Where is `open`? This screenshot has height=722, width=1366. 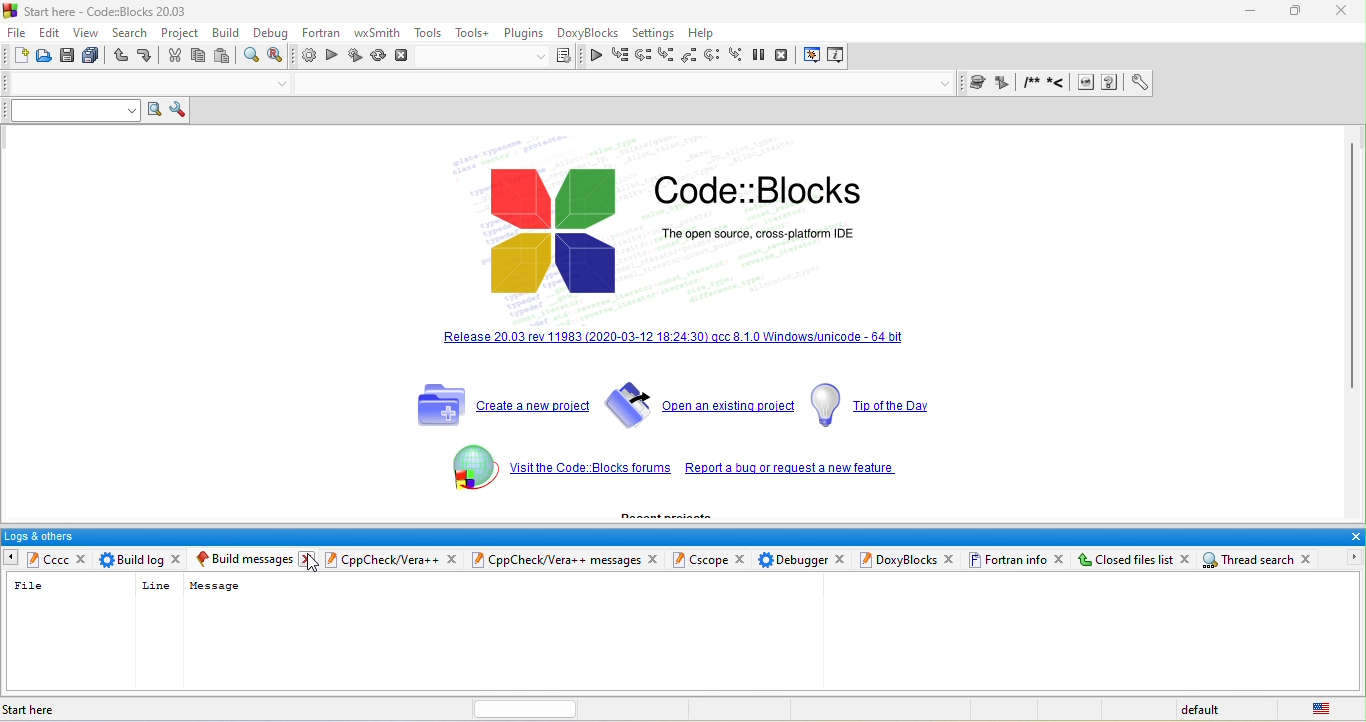
open is located at coordinates (44, 57).